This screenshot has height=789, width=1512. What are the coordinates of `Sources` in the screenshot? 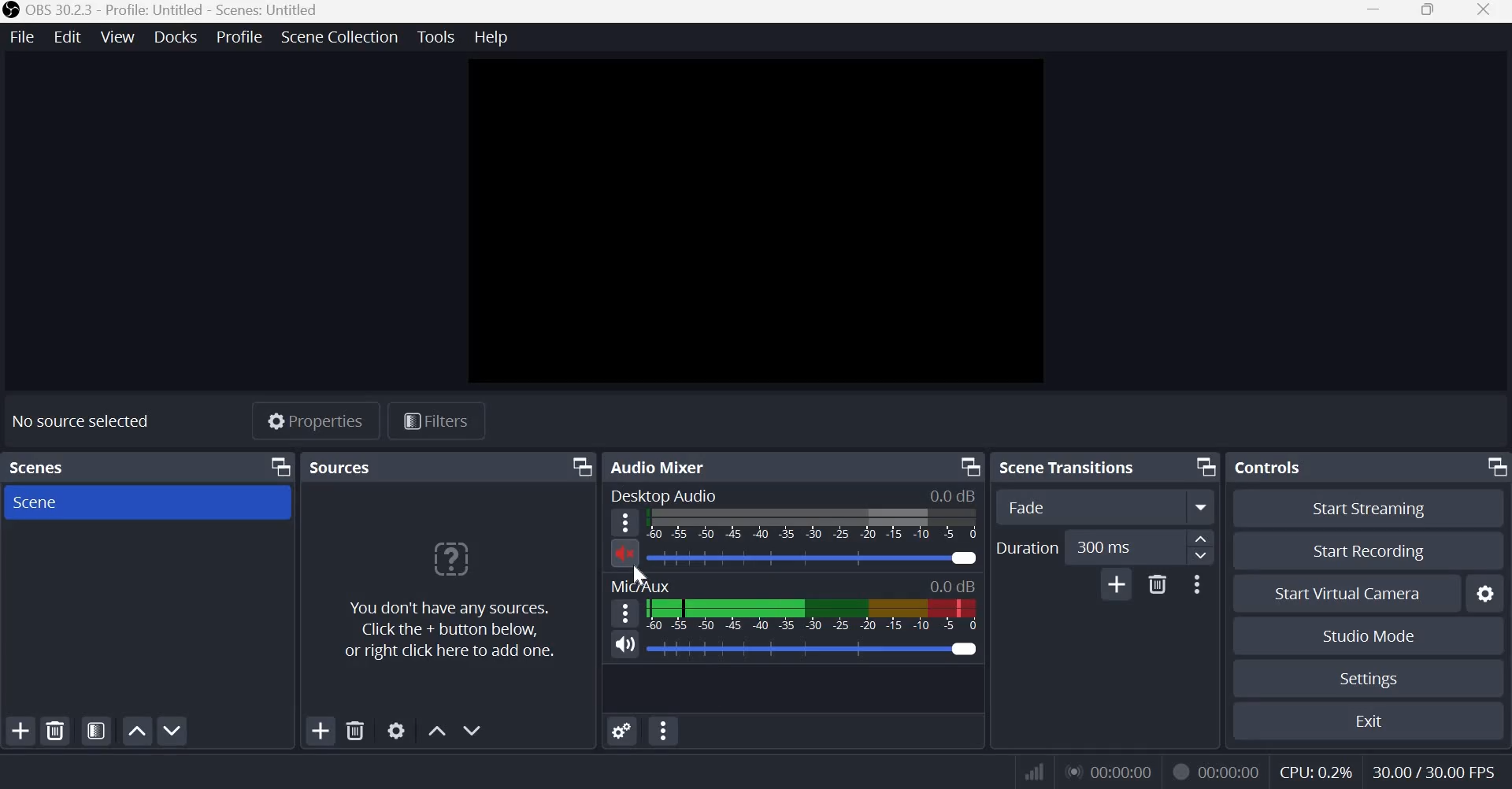 It's located at (343, 467).